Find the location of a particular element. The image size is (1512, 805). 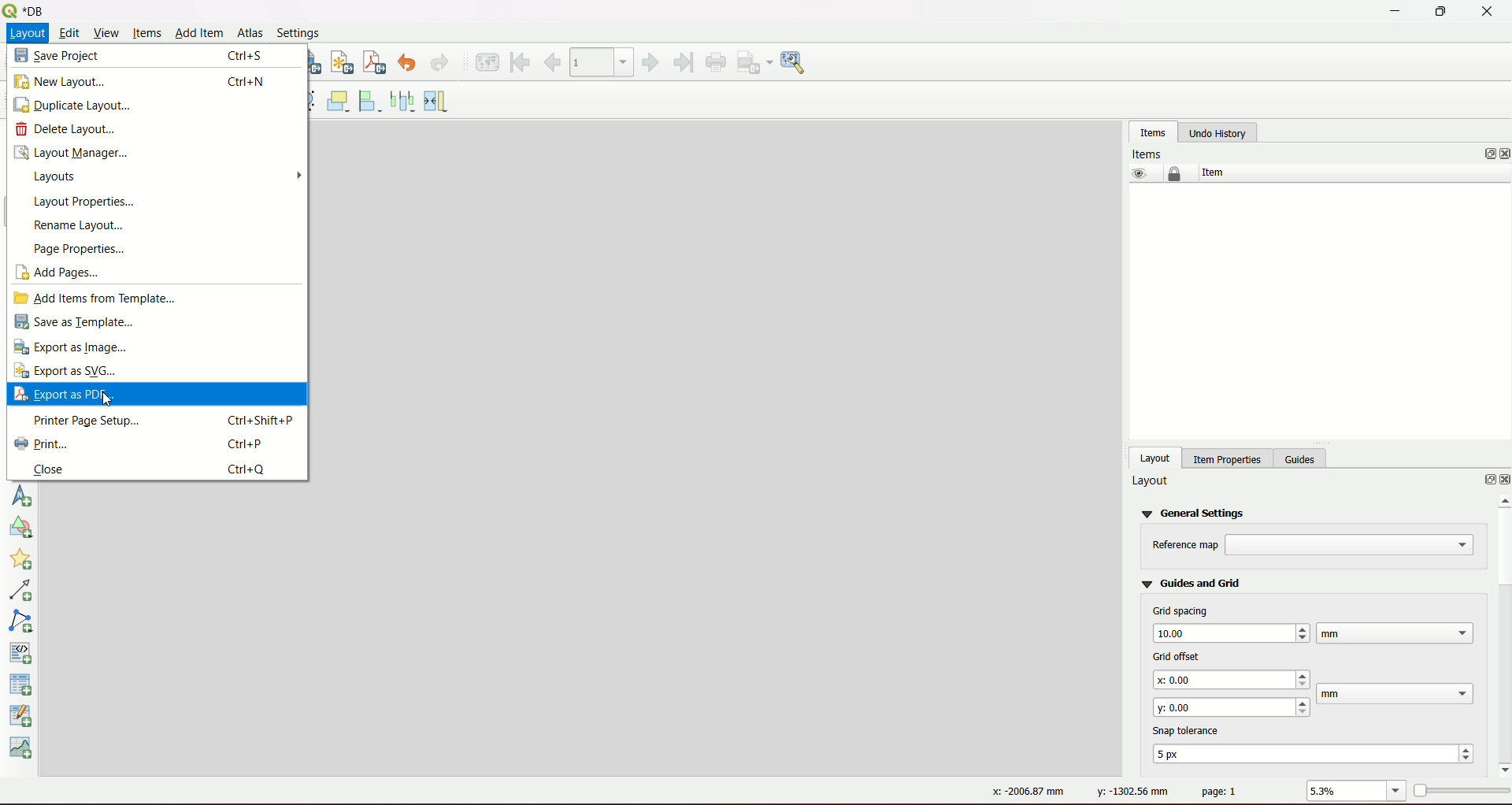

rename layout is located at coordinates (75, 226).